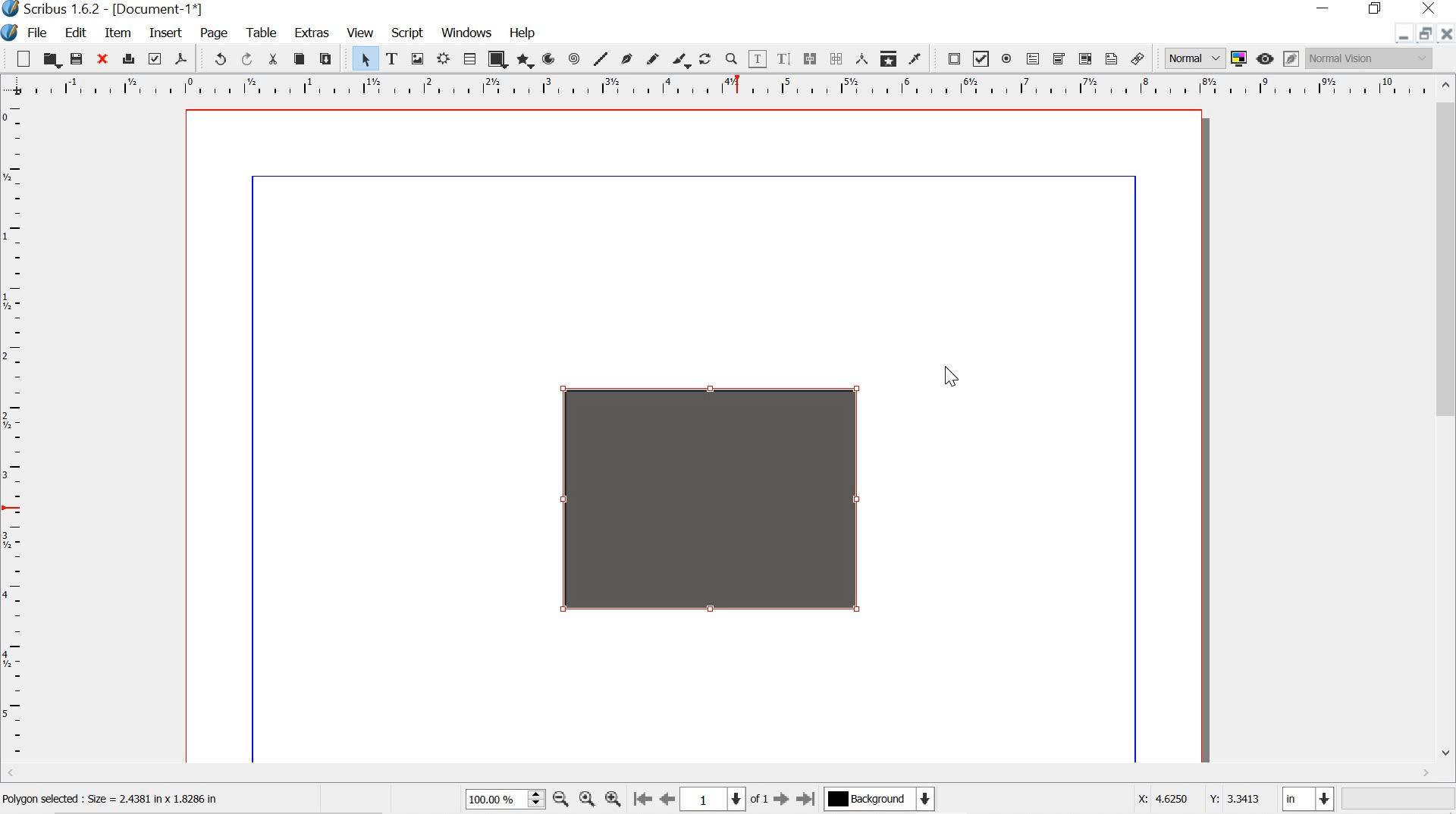  Describe the element at coordinates (311, 33) in the screenshot. I see `extras` at that location.